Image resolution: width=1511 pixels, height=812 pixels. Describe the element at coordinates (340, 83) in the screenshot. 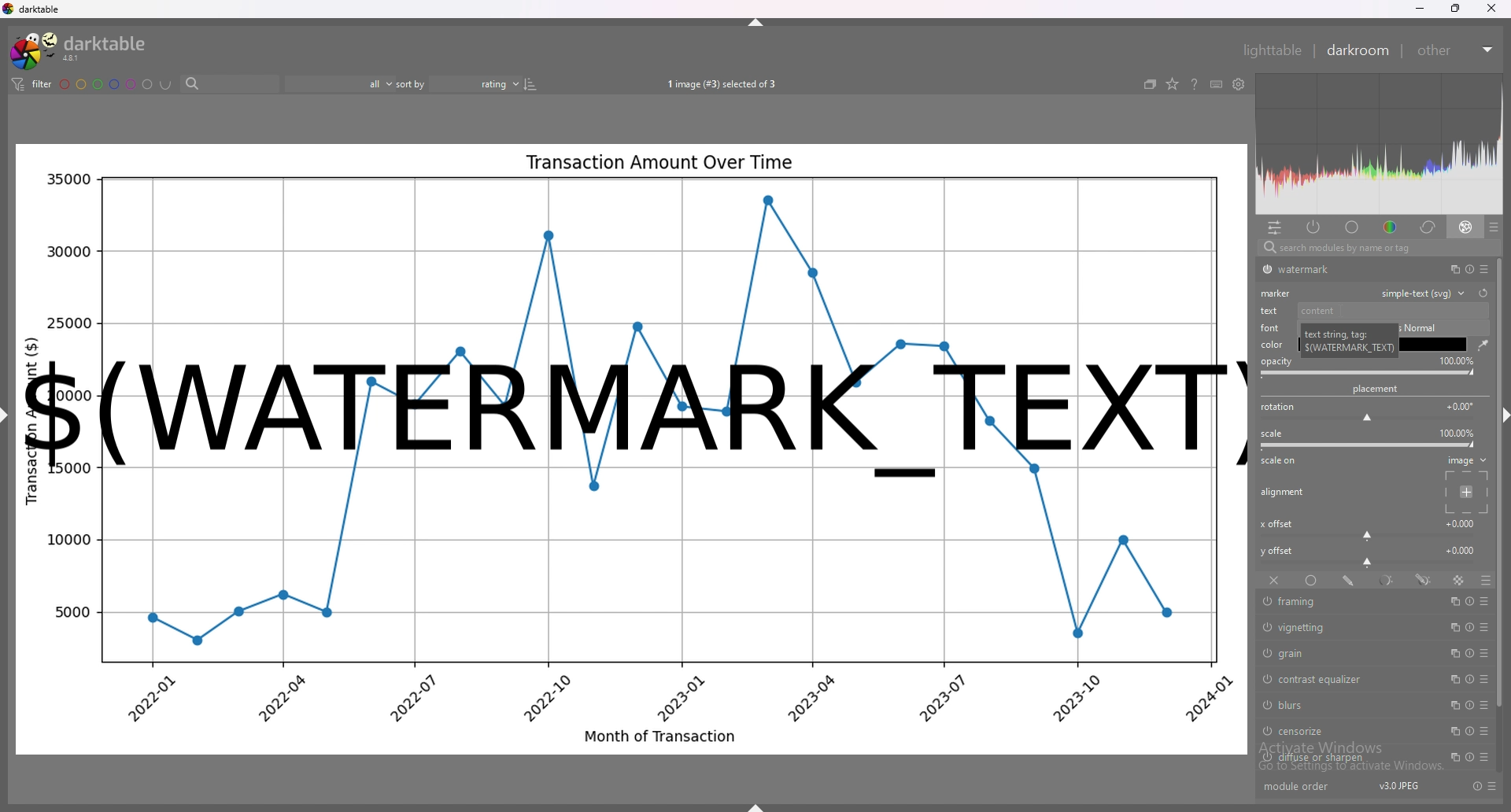

I see `filter by rating` at that location.